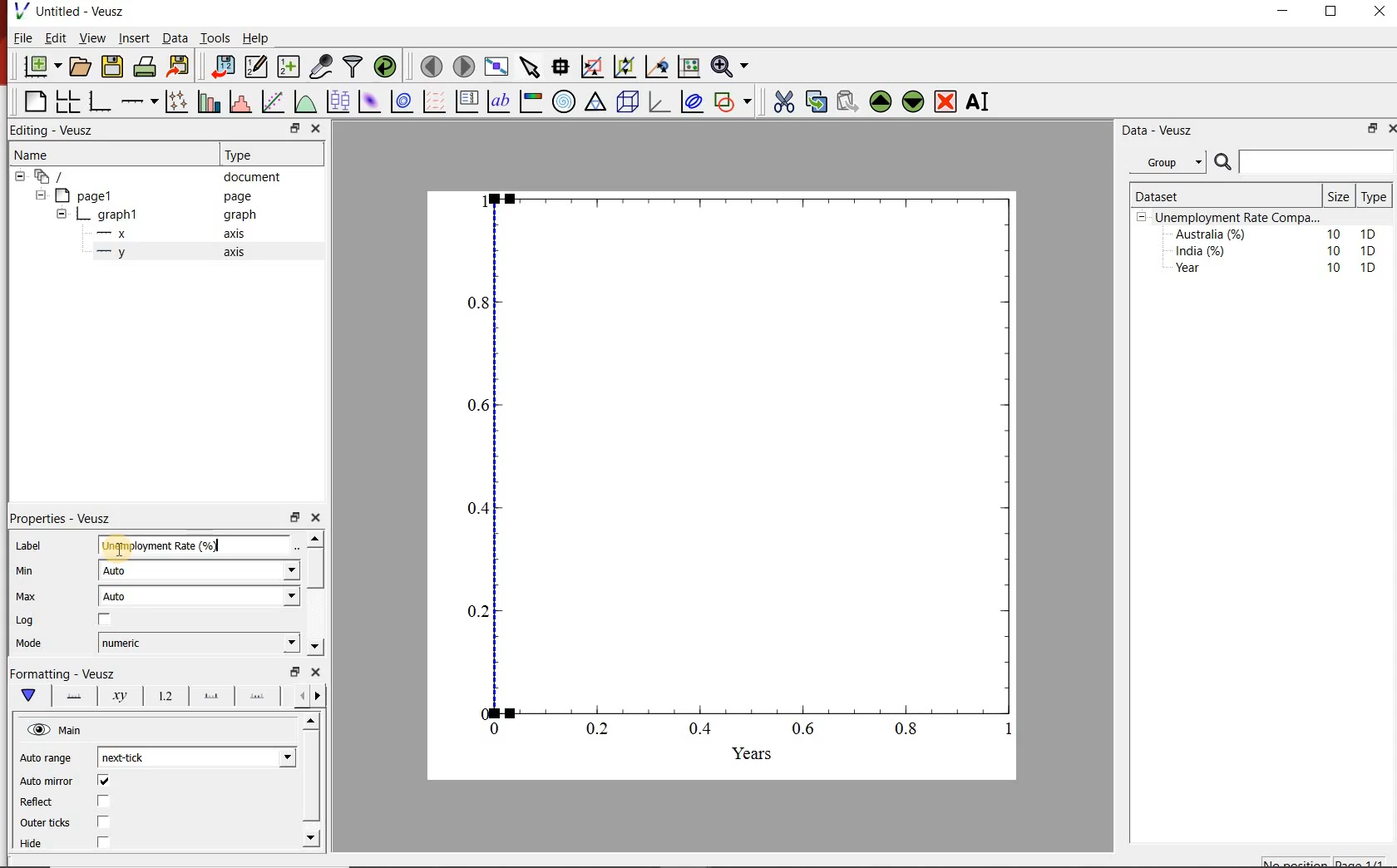  Describe the element at coordinates (1142, 218) in the screenshot. I see `collpase` at that location.